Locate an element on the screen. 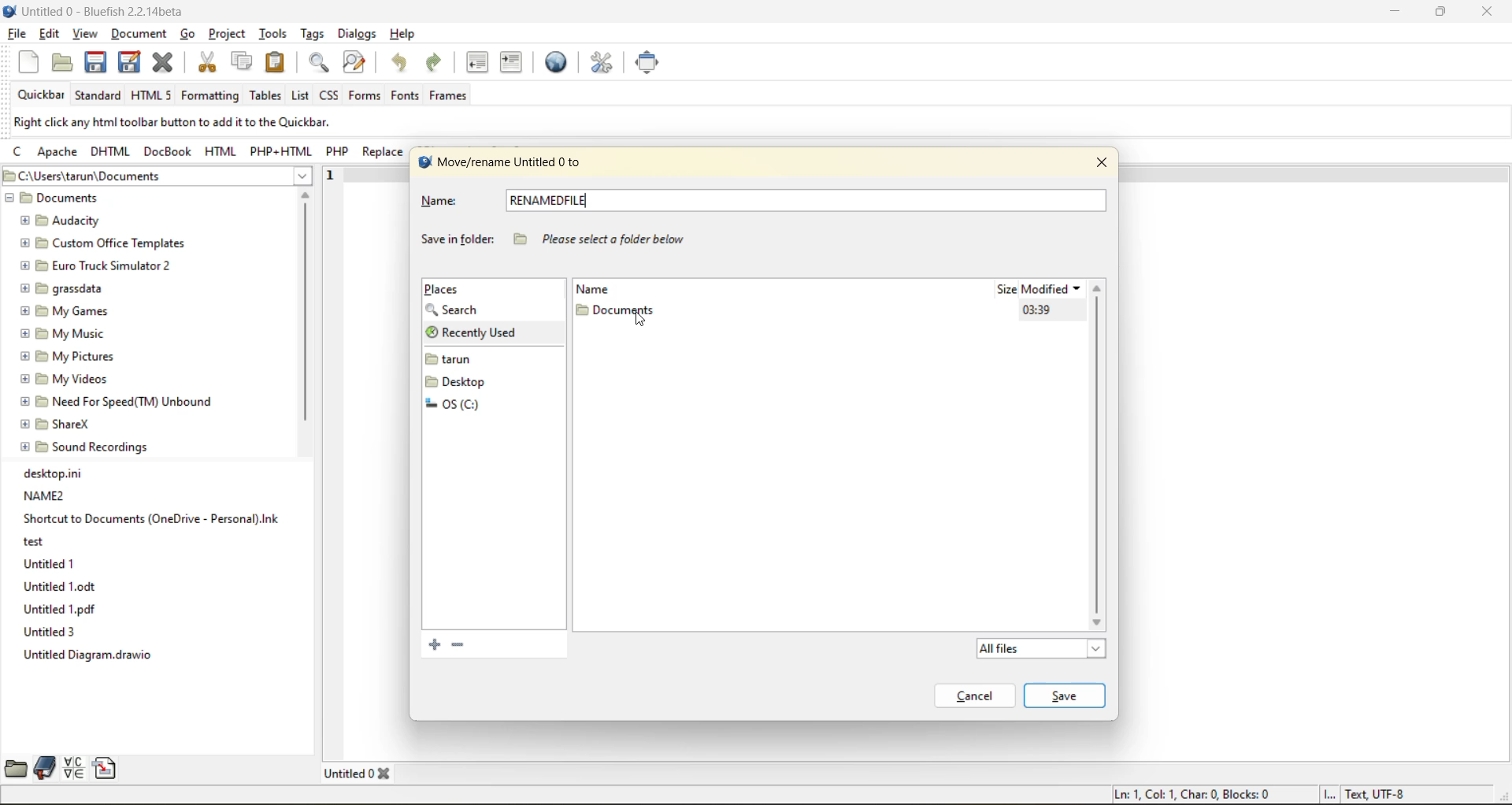 This screenshot has height=805, width=1512. html 5 is located at coordinates (155, 96).